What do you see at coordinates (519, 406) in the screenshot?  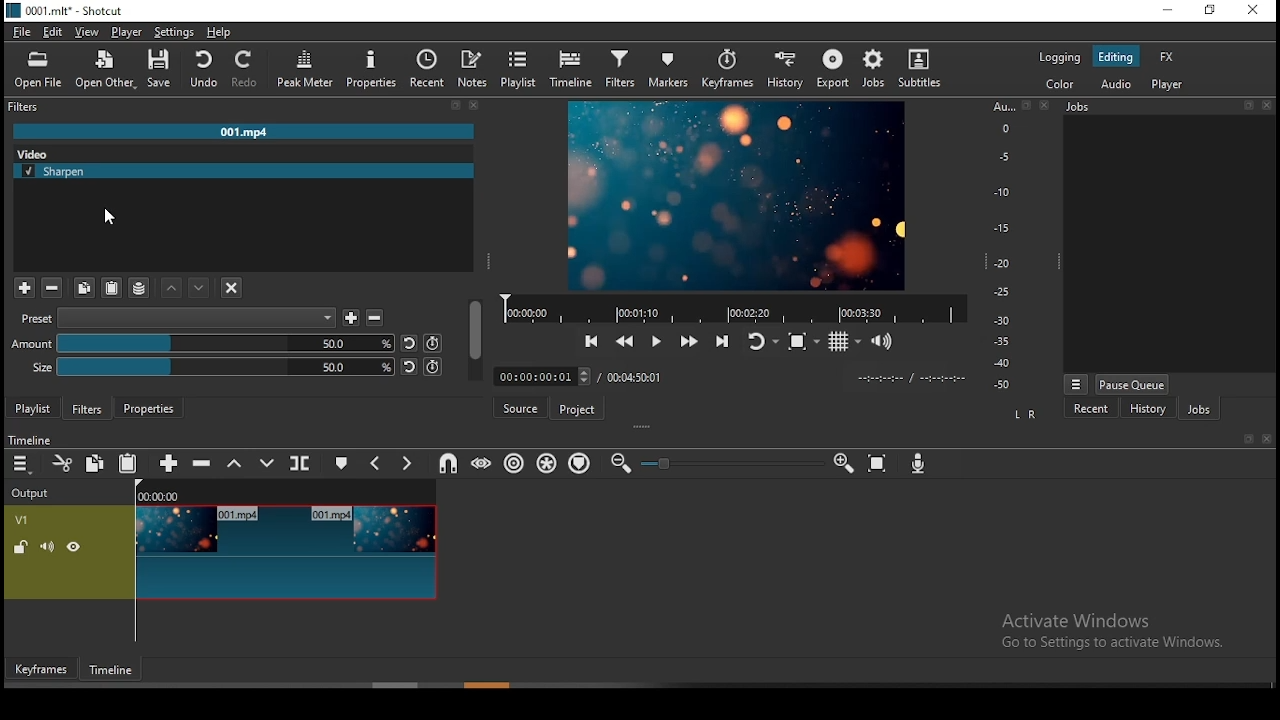 I see `source` at bounding box center [519, 406].